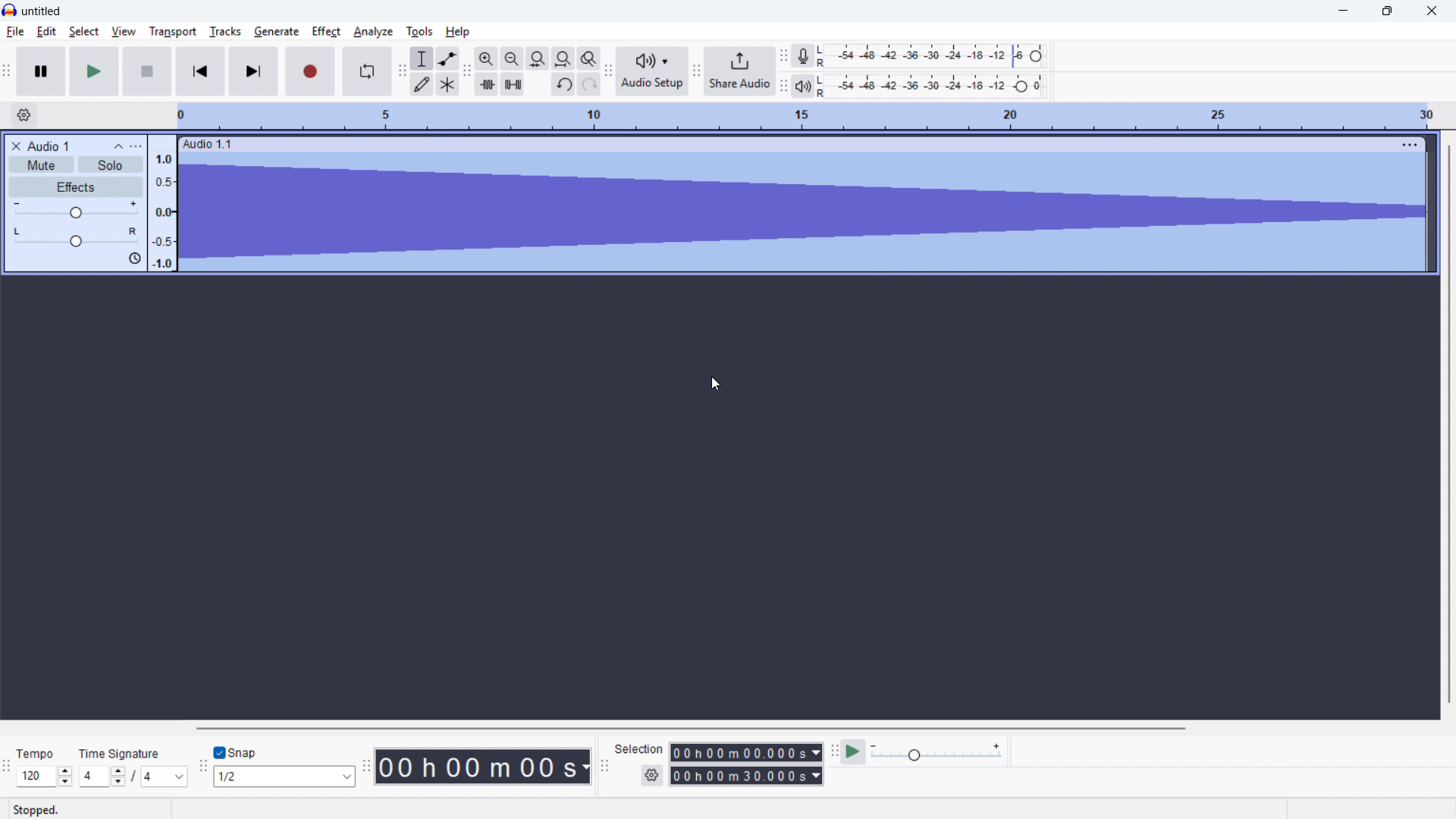 The height and width of the screenshot is (819, 1456). I want to click on Selection, so click(641, 750).